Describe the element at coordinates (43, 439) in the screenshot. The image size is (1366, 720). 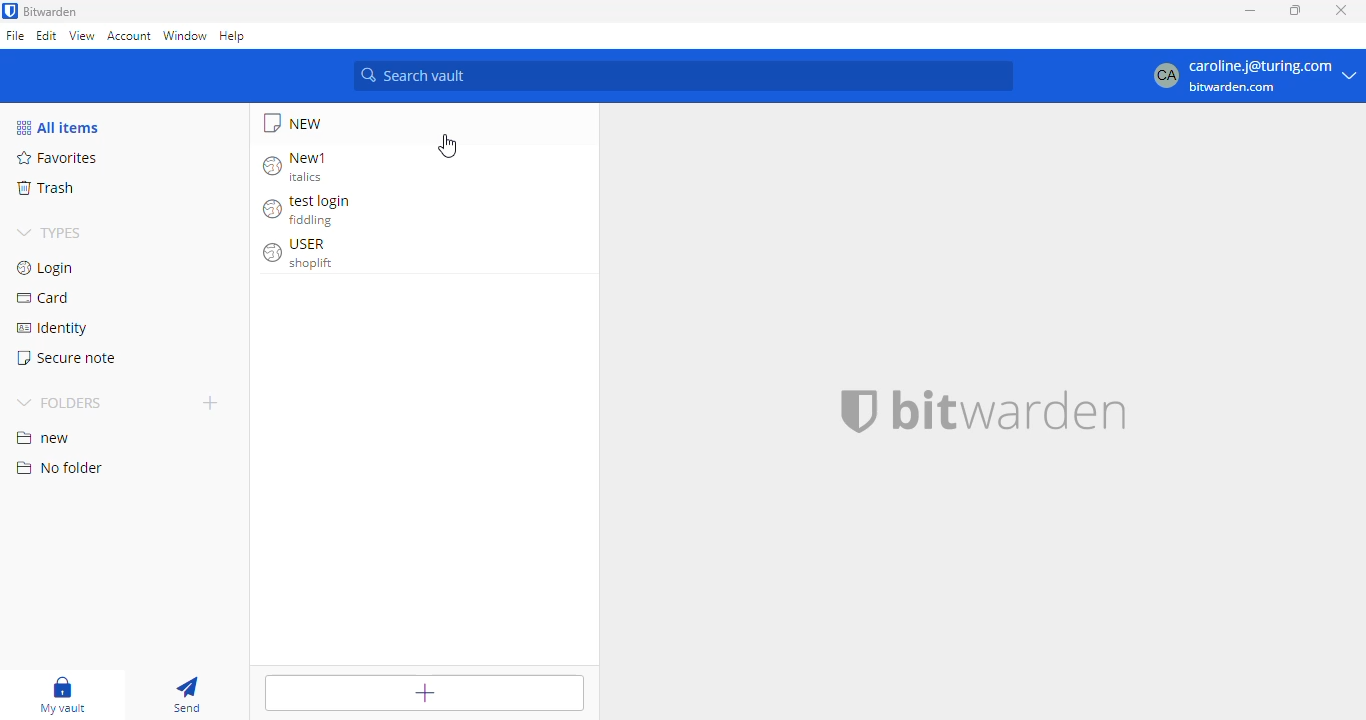
I see `new` at that location.